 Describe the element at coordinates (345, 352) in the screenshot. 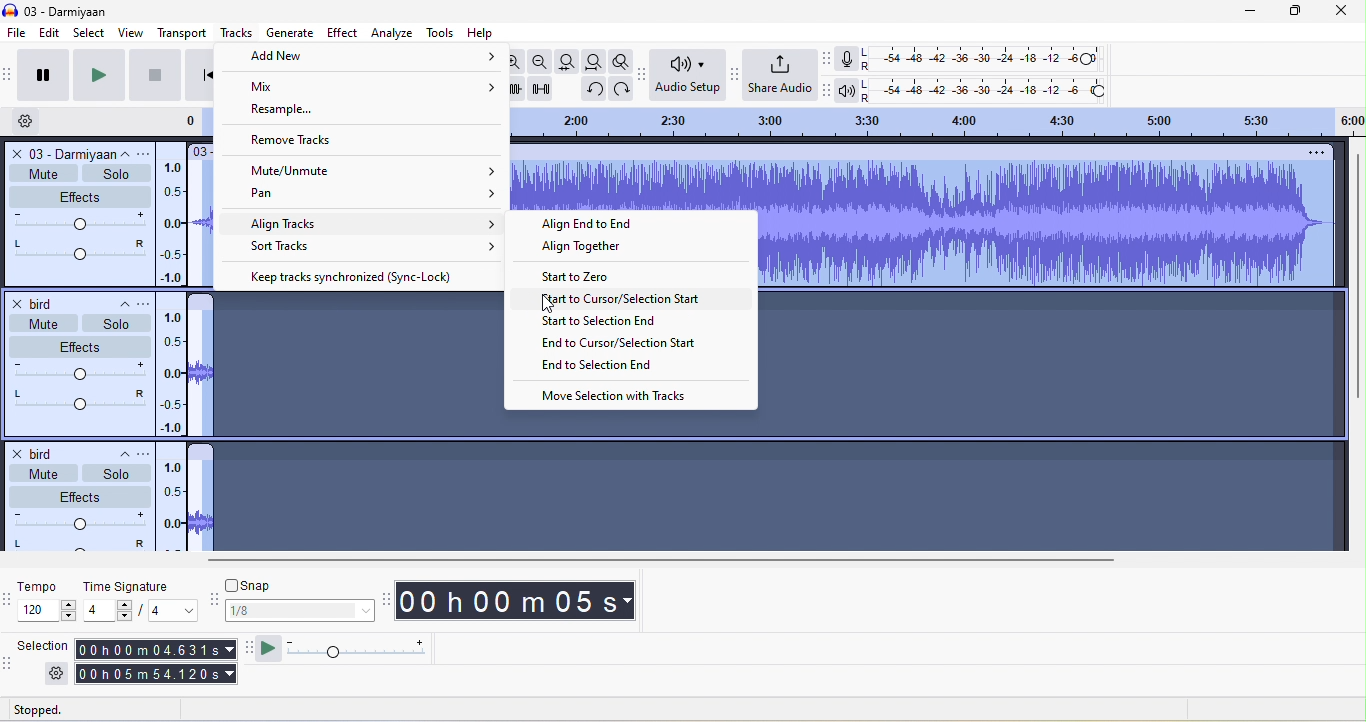

I see `selected track` at that location.